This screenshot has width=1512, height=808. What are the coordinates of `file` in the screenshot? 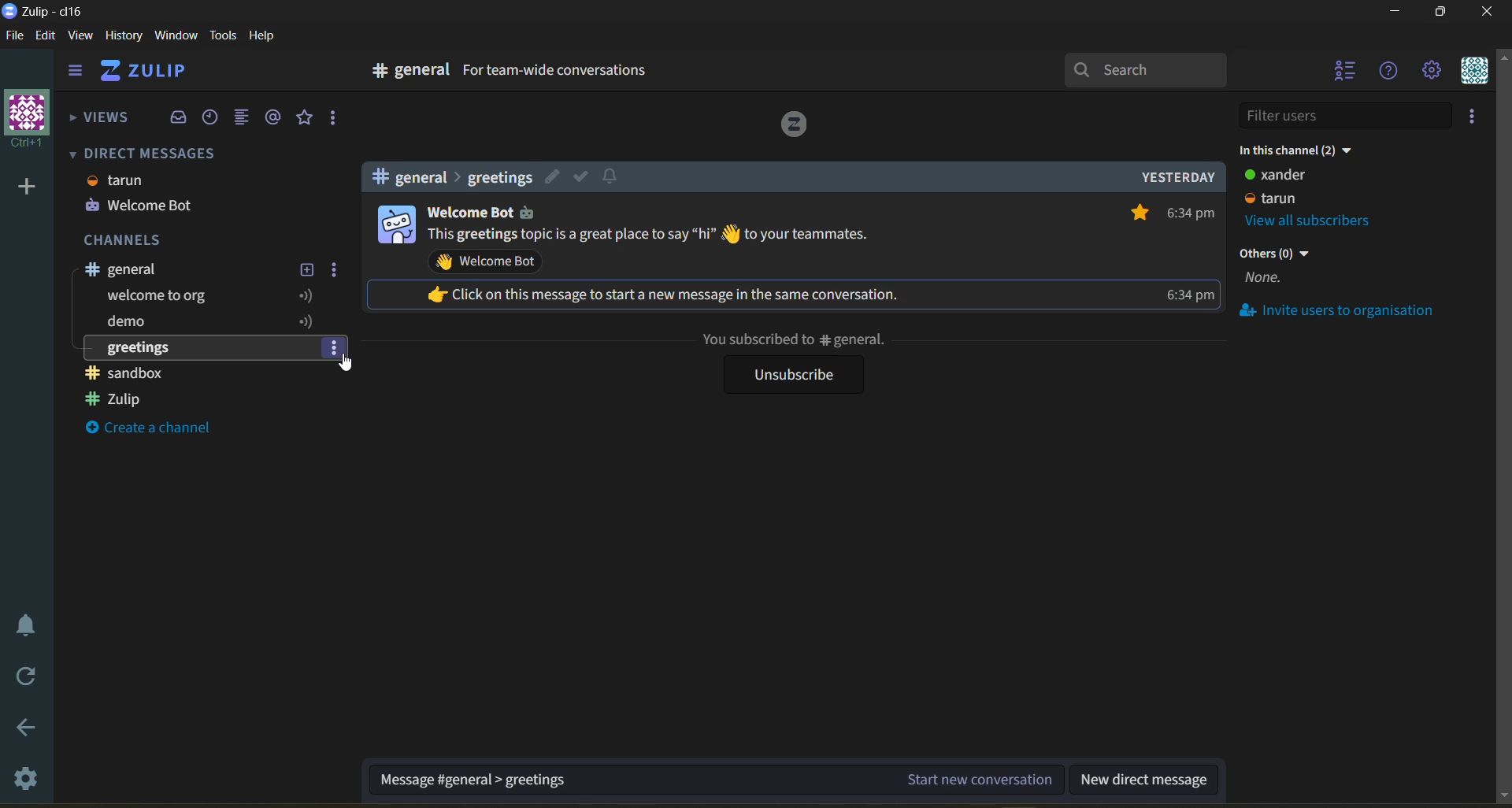 It's located at (15, 37).